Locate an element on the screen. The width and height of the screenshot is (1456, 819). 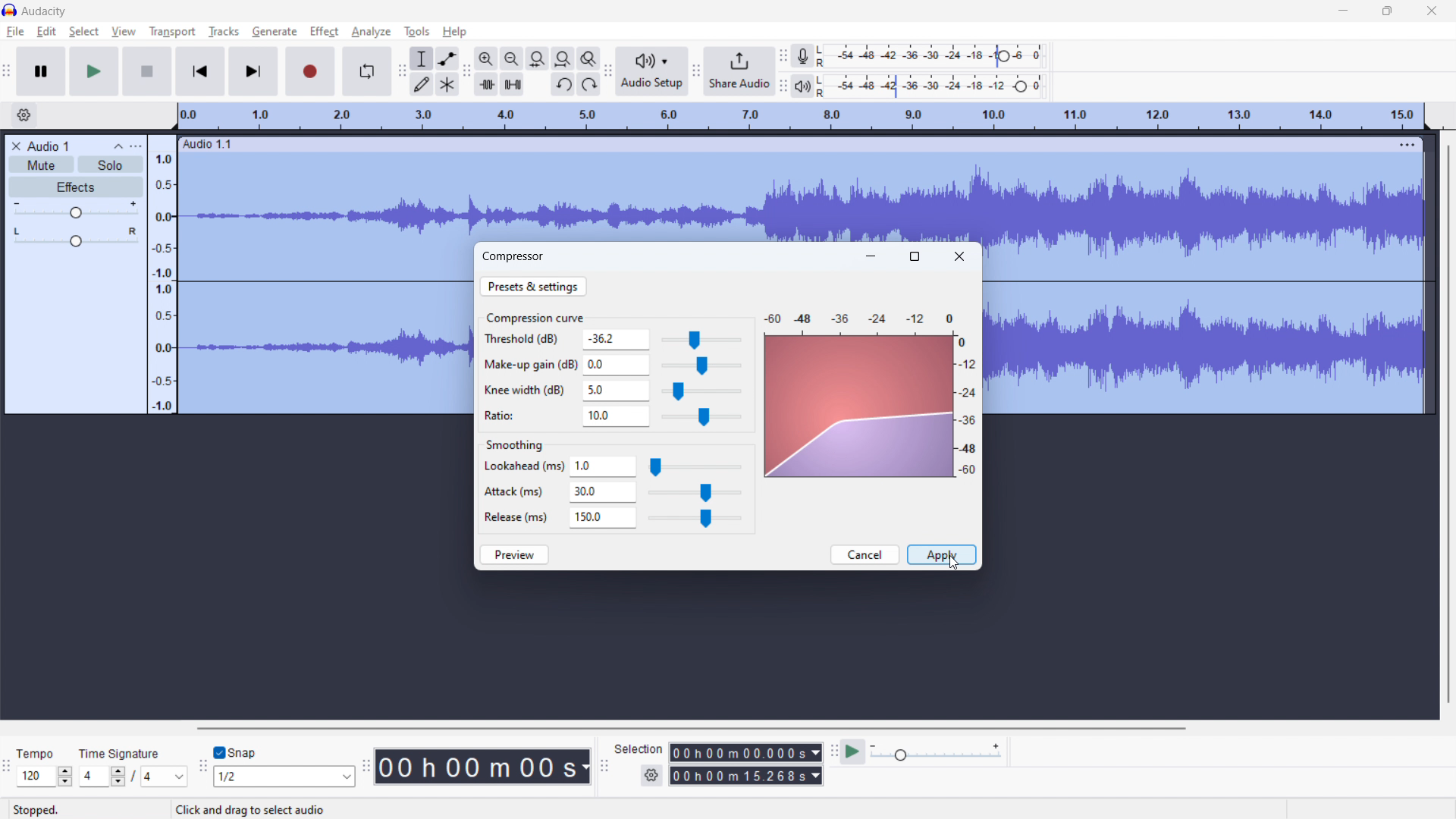
4/4 (set time signature) is located at coordinates (133, 777).